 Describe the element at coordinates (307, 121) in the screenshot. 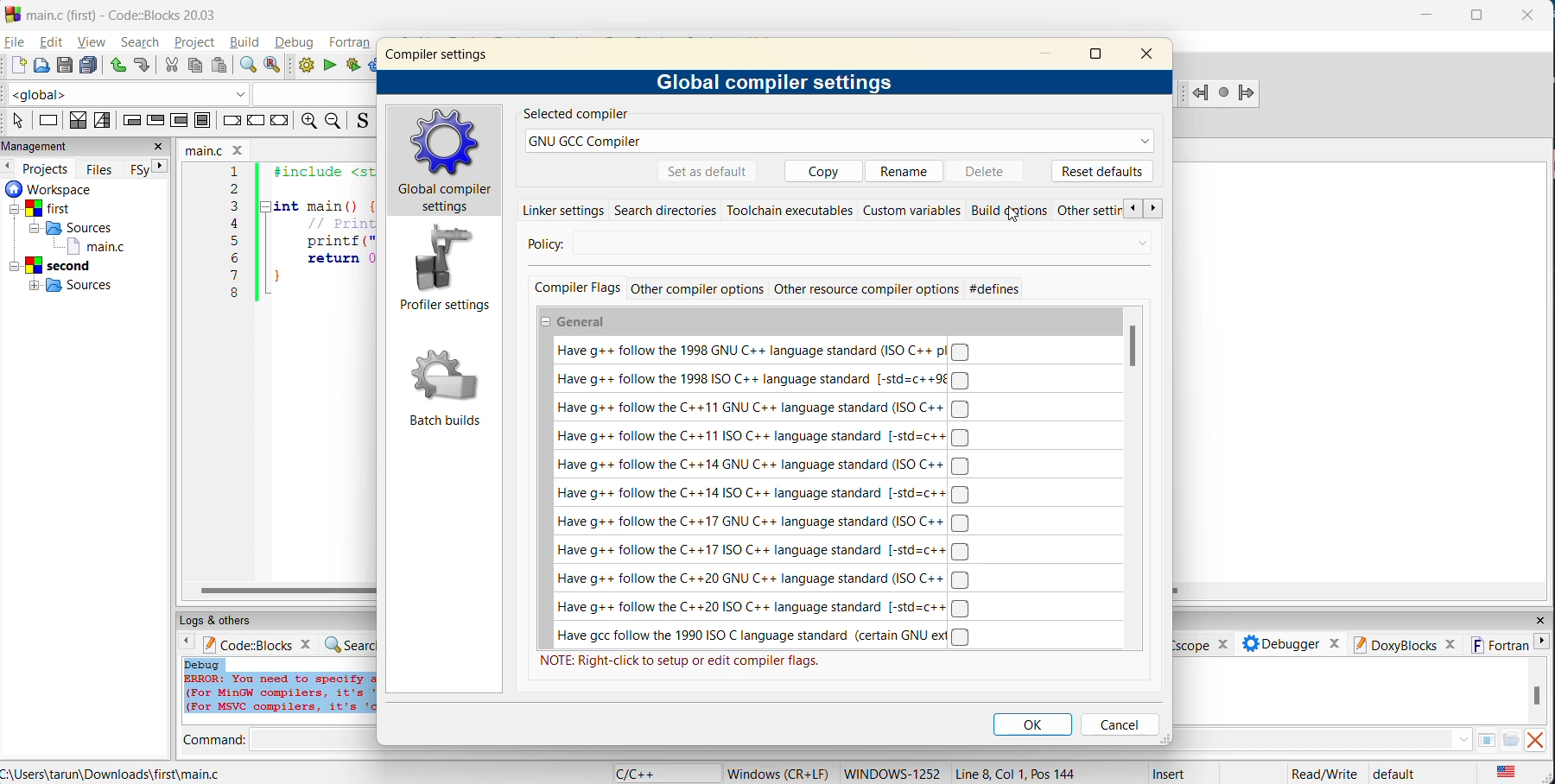

I see `zoom in` at that location.